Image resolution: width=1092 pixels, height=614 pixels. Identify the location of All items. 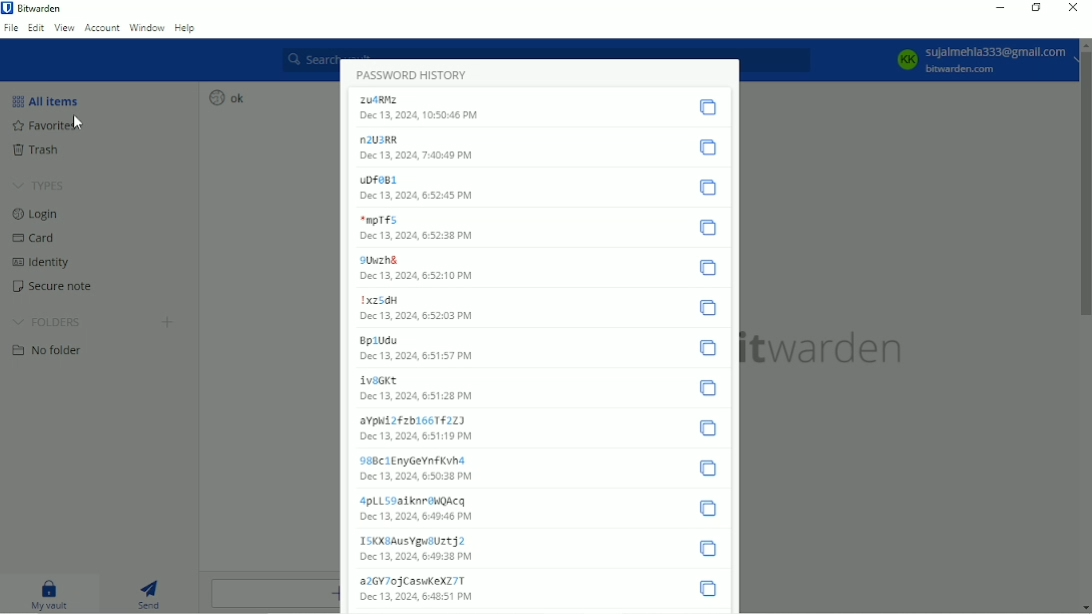
(46, 99).